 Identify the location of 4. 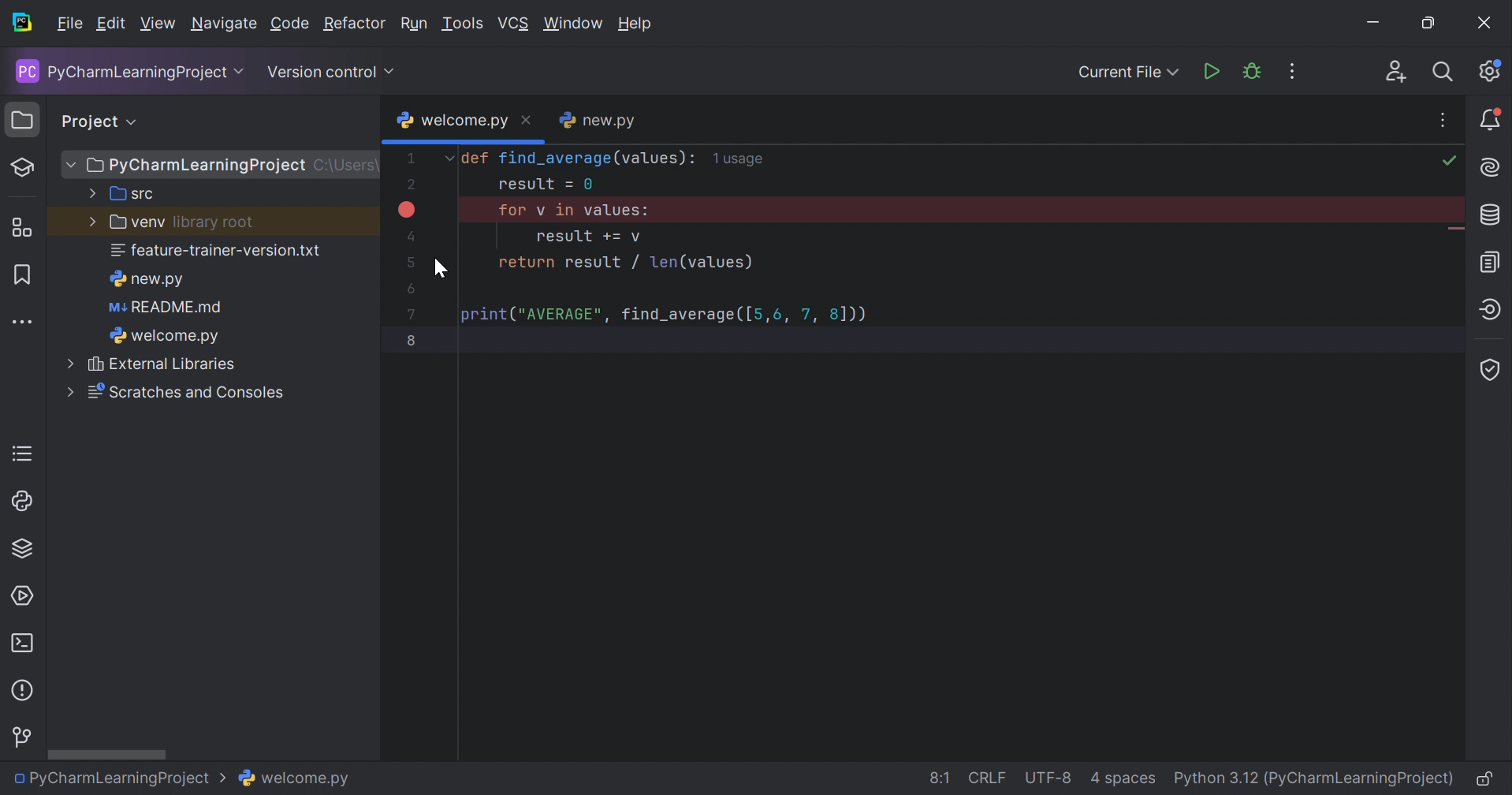
(408, 234).